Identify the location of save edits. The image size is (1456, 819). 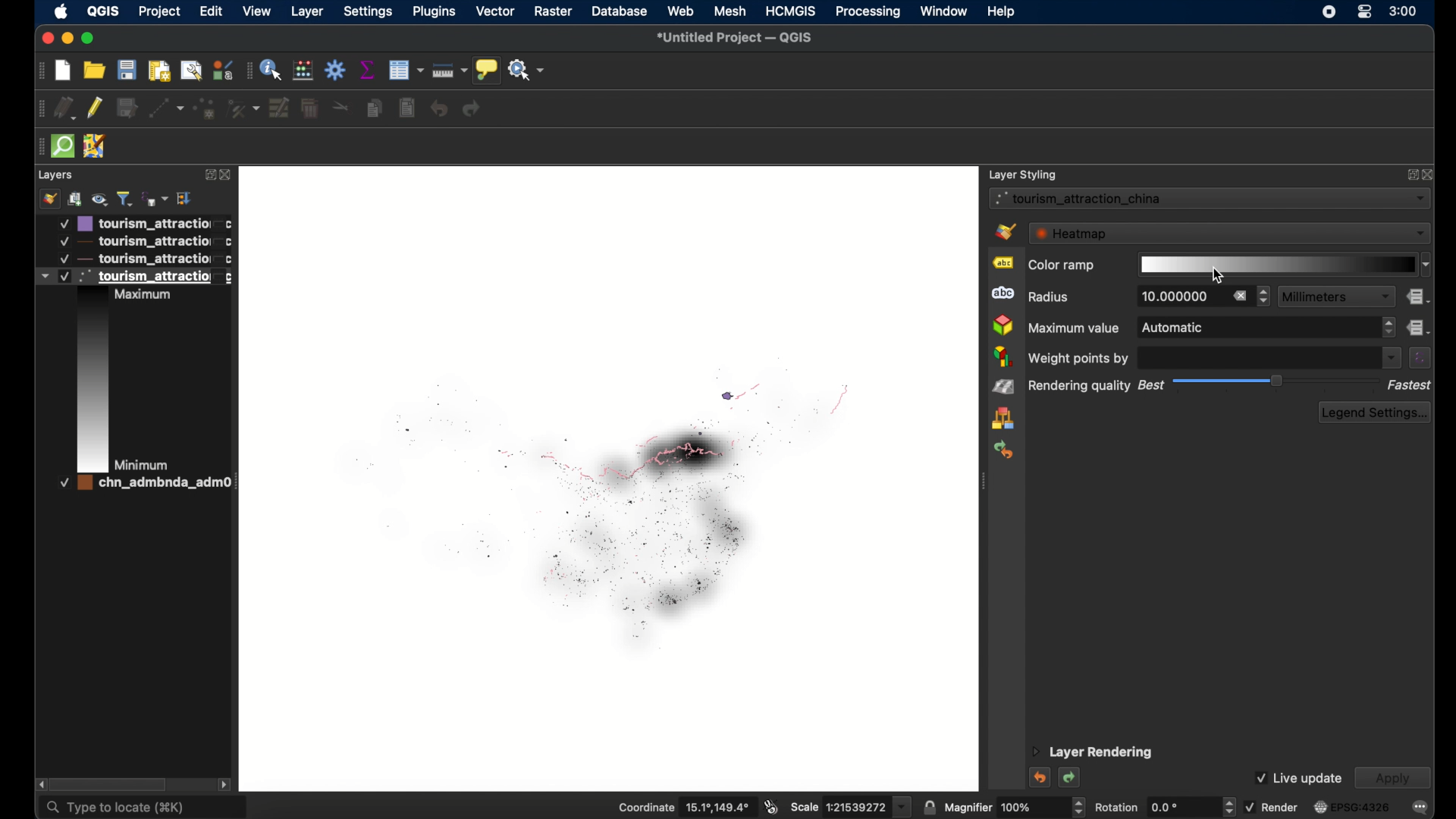
(127, 108).